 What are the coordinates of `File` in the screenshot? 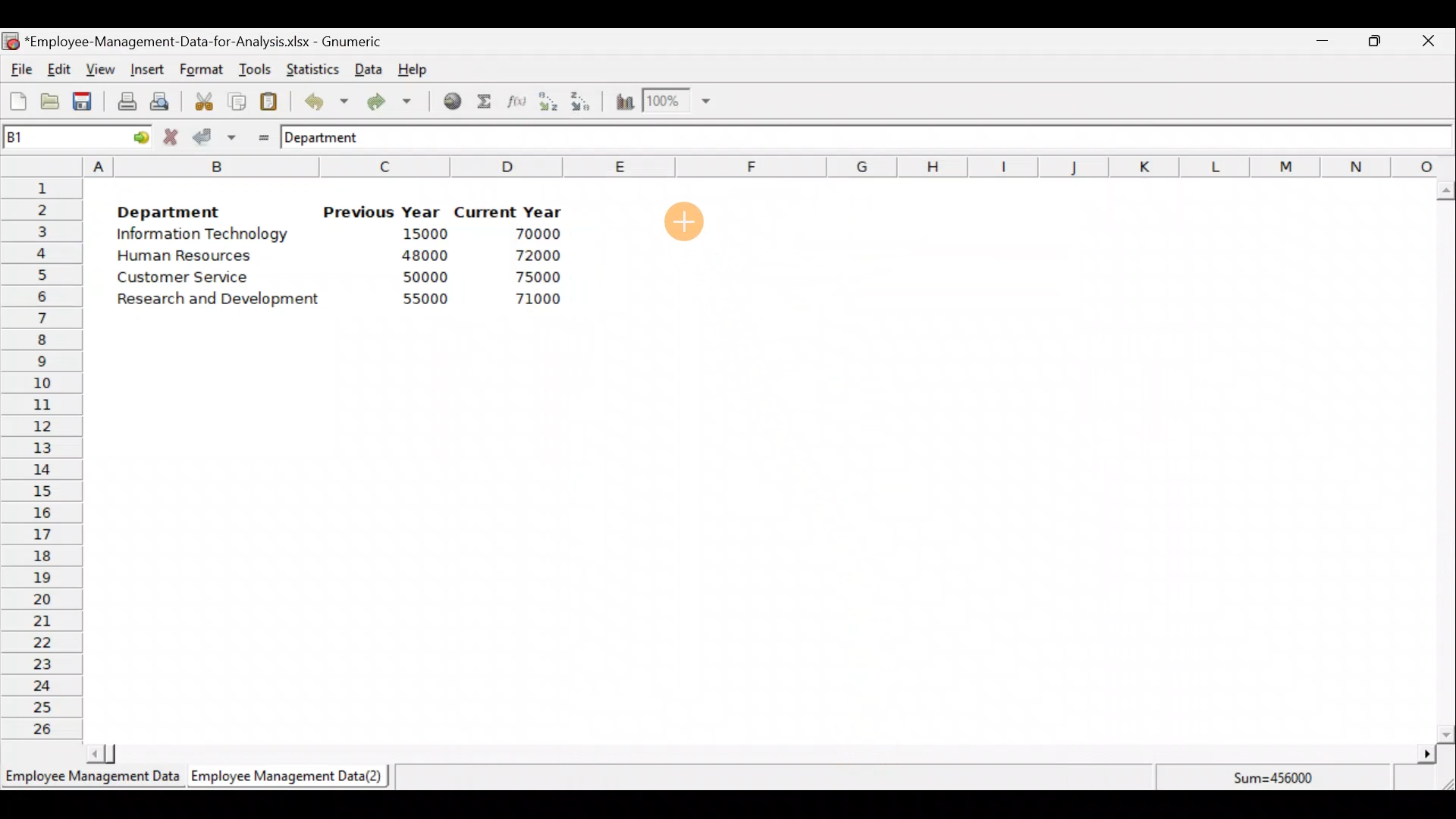 It's located at (19, 70).